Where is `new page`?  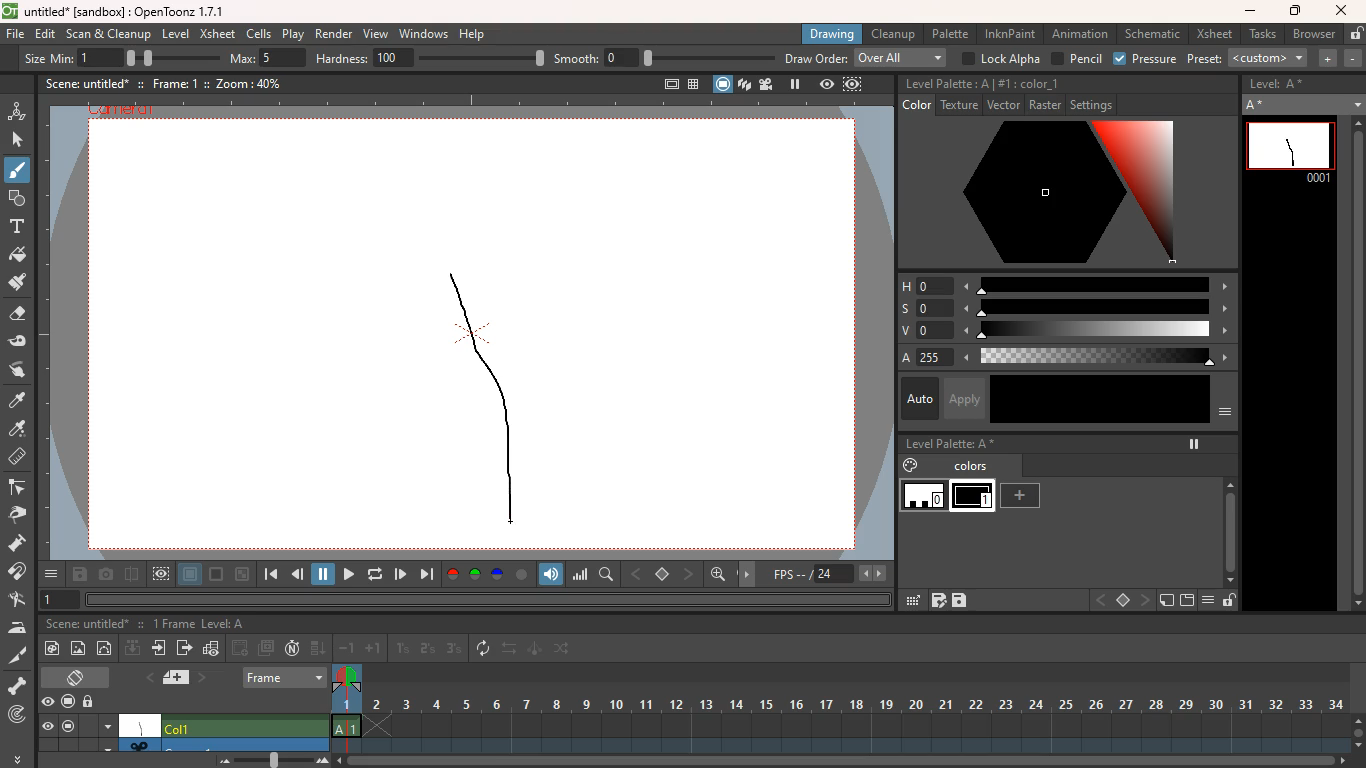 new page is located at coordinates (1166, 601).